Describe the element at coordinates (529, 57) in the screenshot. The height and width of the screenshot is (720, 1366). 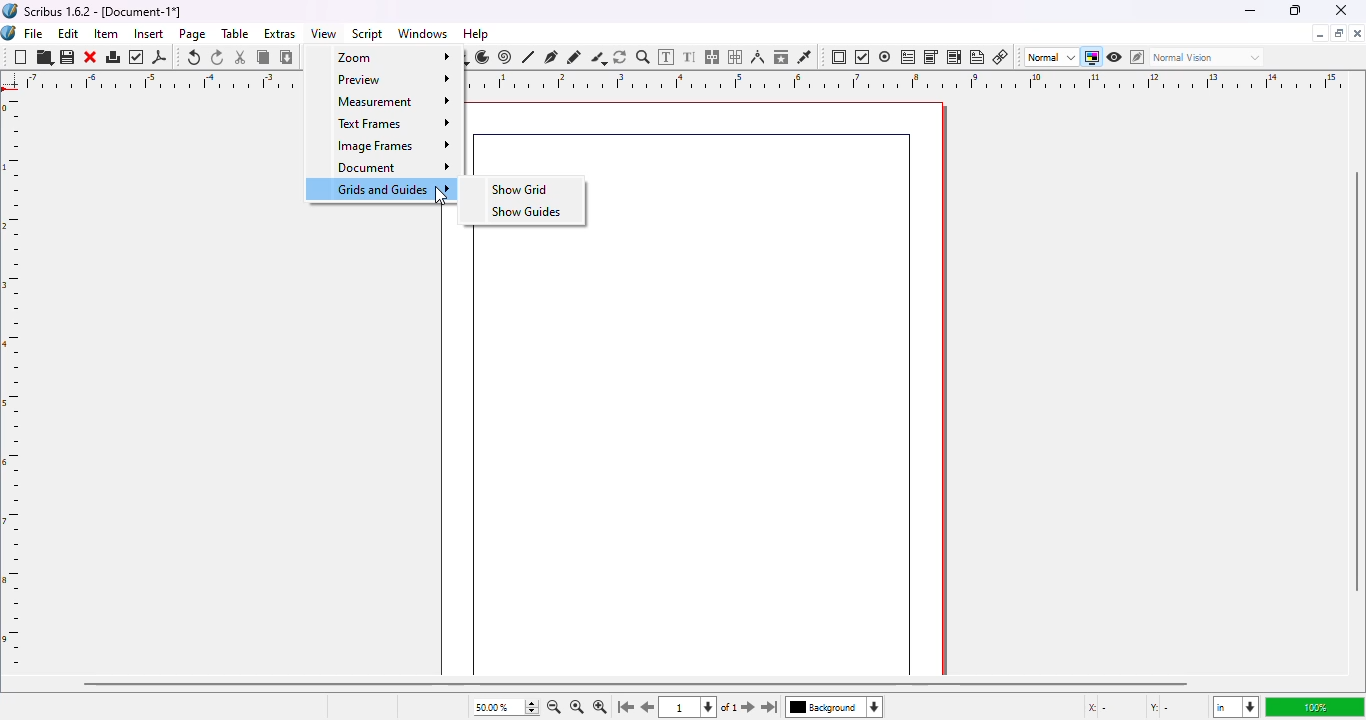
I see `line` at that location.